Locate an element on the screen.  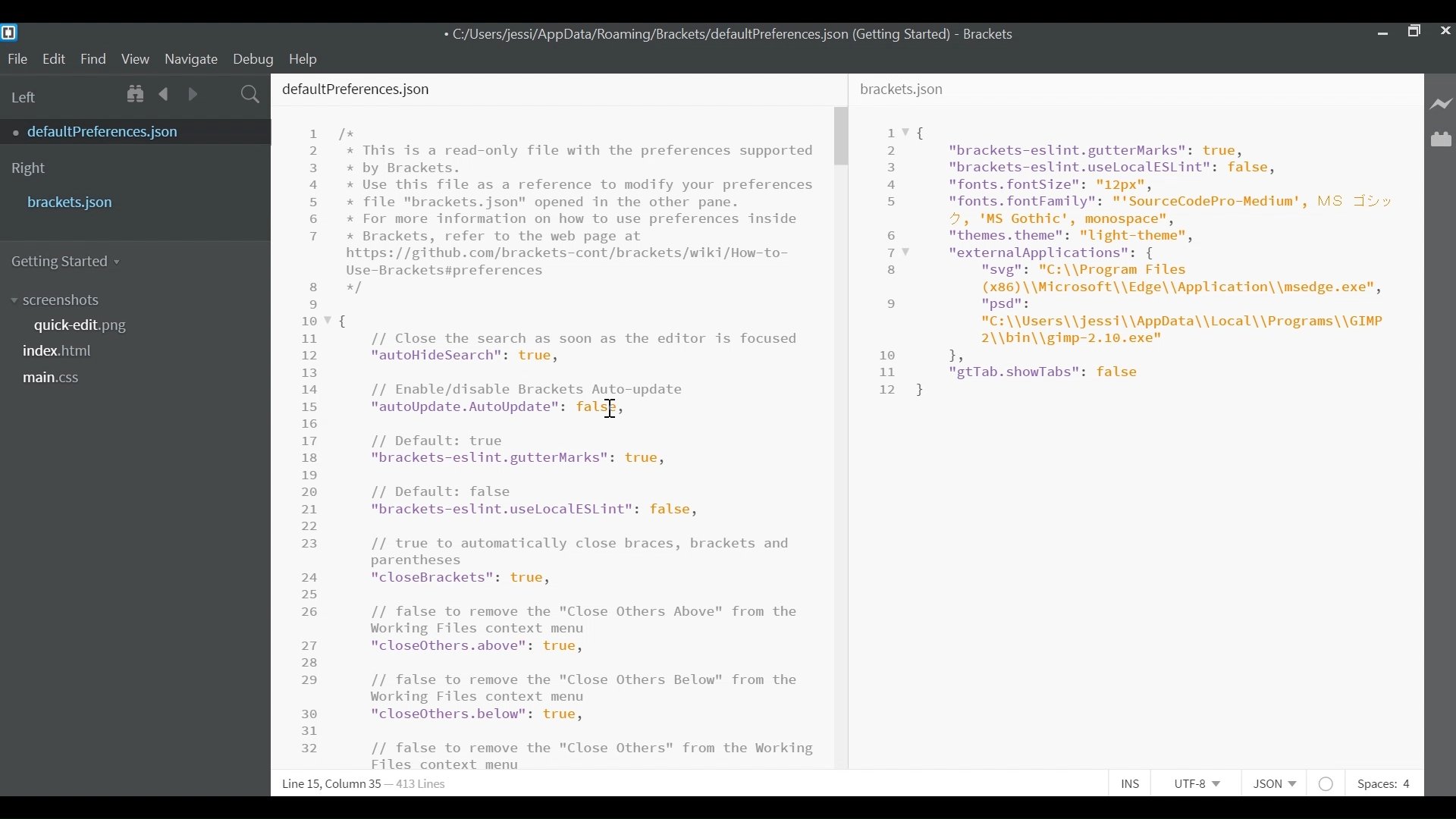
Restore is located at coordinates (1414, 30).